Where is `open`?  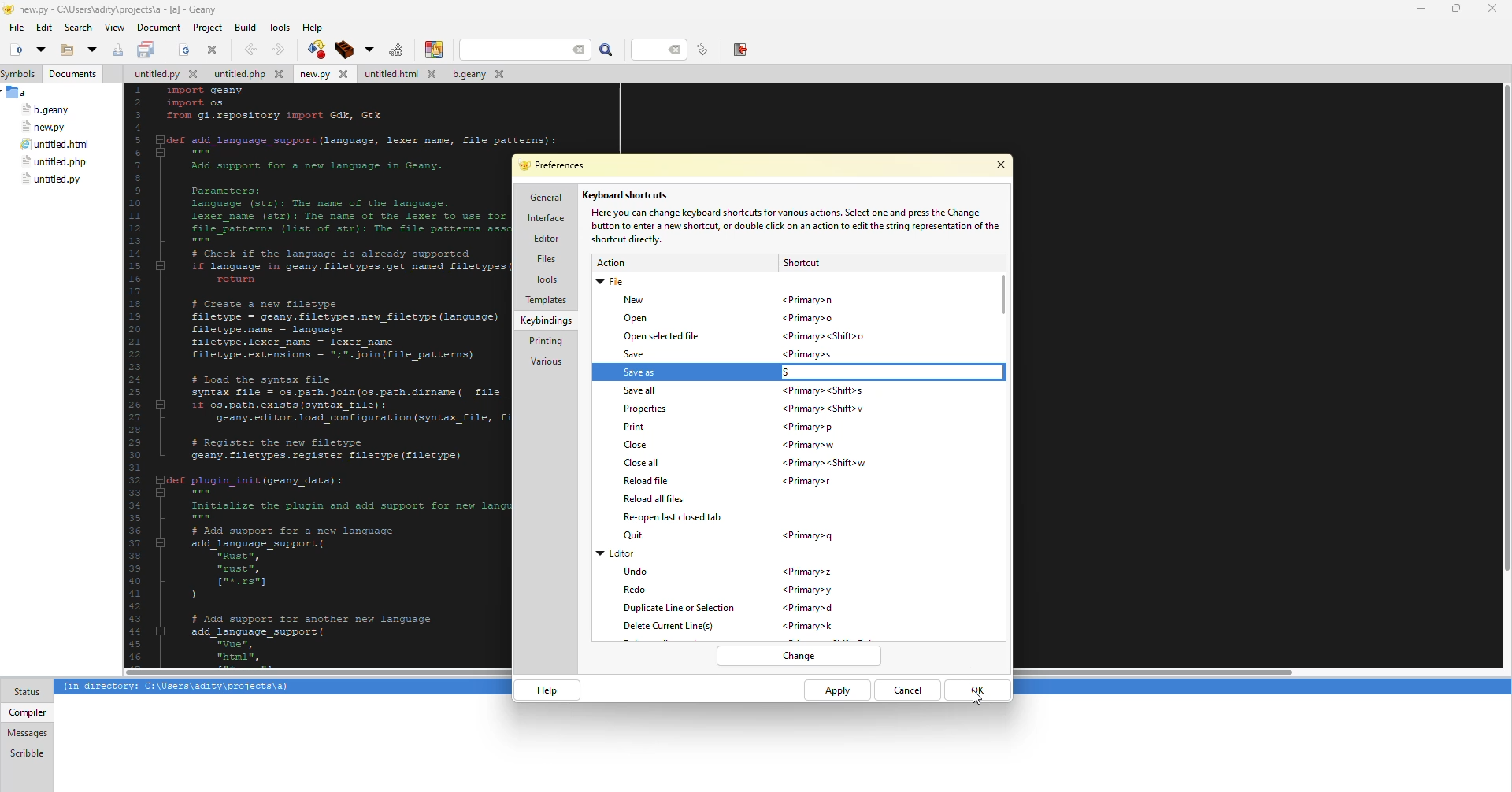
open is located at coordinates (636, 317).